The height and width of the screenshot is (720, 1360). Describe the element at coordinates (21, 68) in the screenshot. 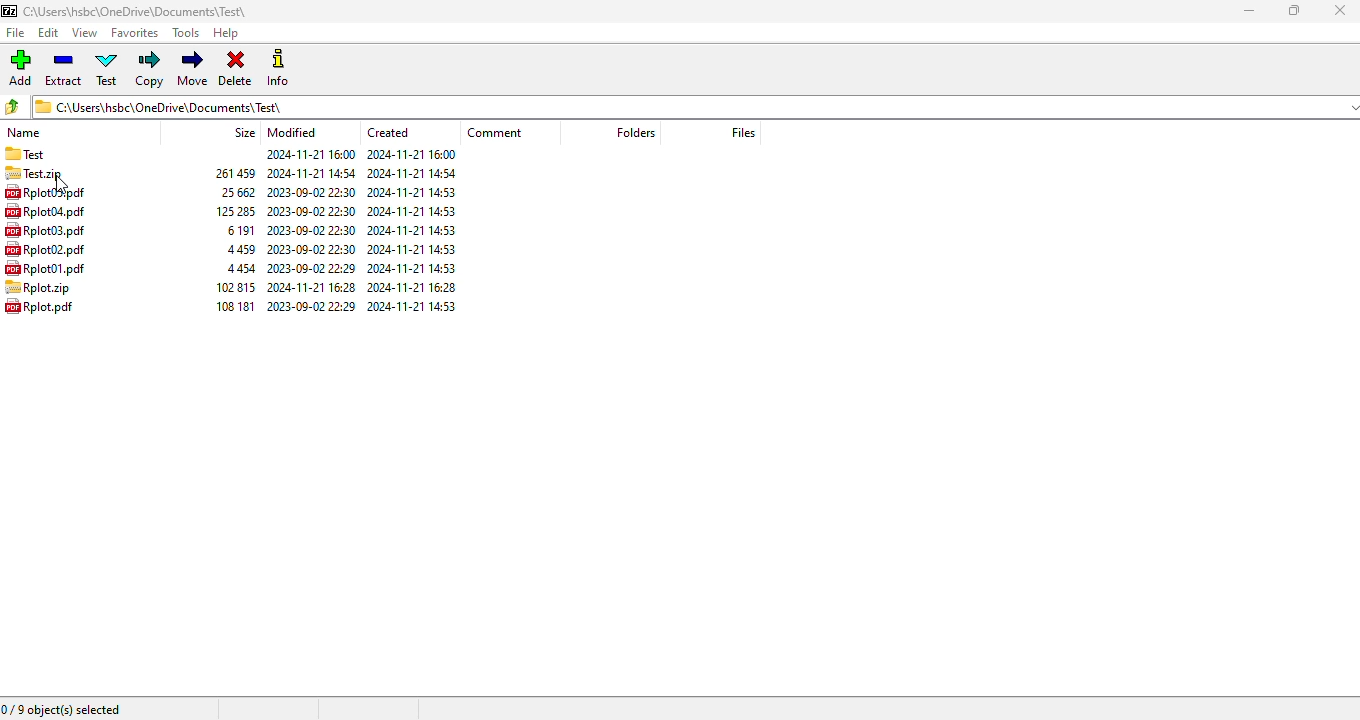

I see `add` at that location.